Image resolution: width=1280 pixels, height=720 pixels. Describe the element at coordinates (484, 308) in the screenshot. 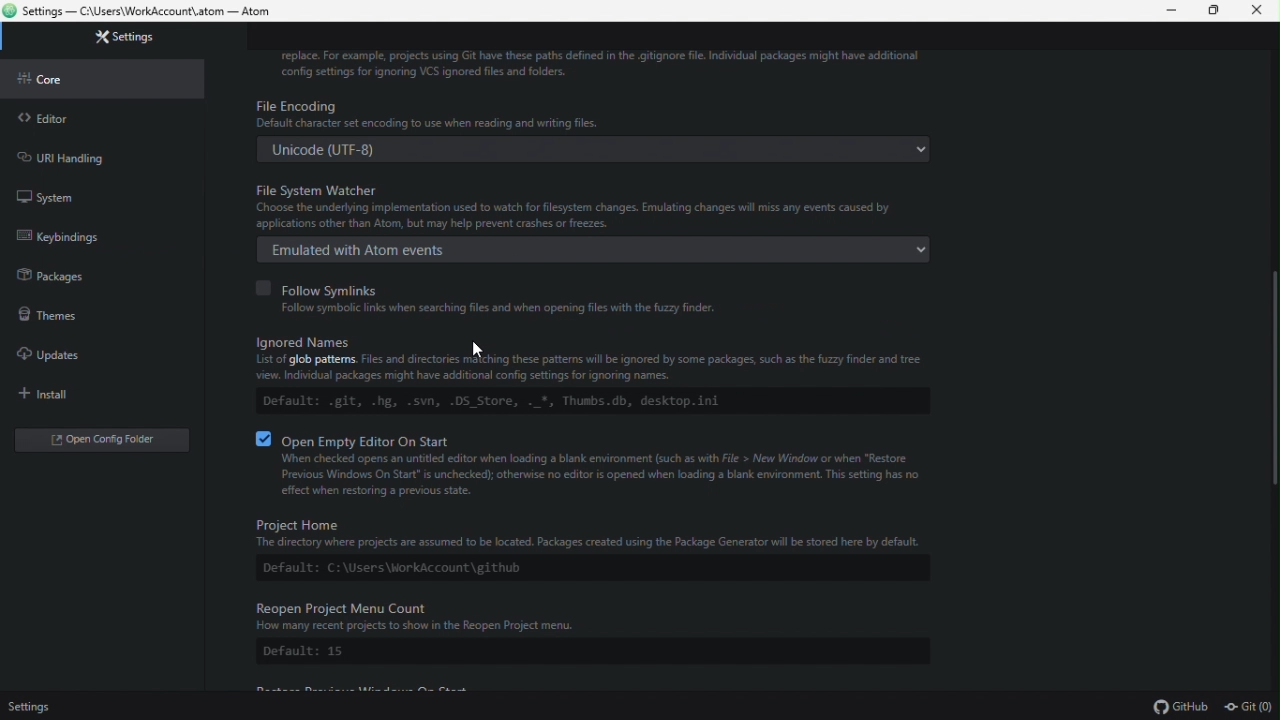

I see `Follow symbolic links when searching files and when opening files with the fuzzy finder.` at that location.